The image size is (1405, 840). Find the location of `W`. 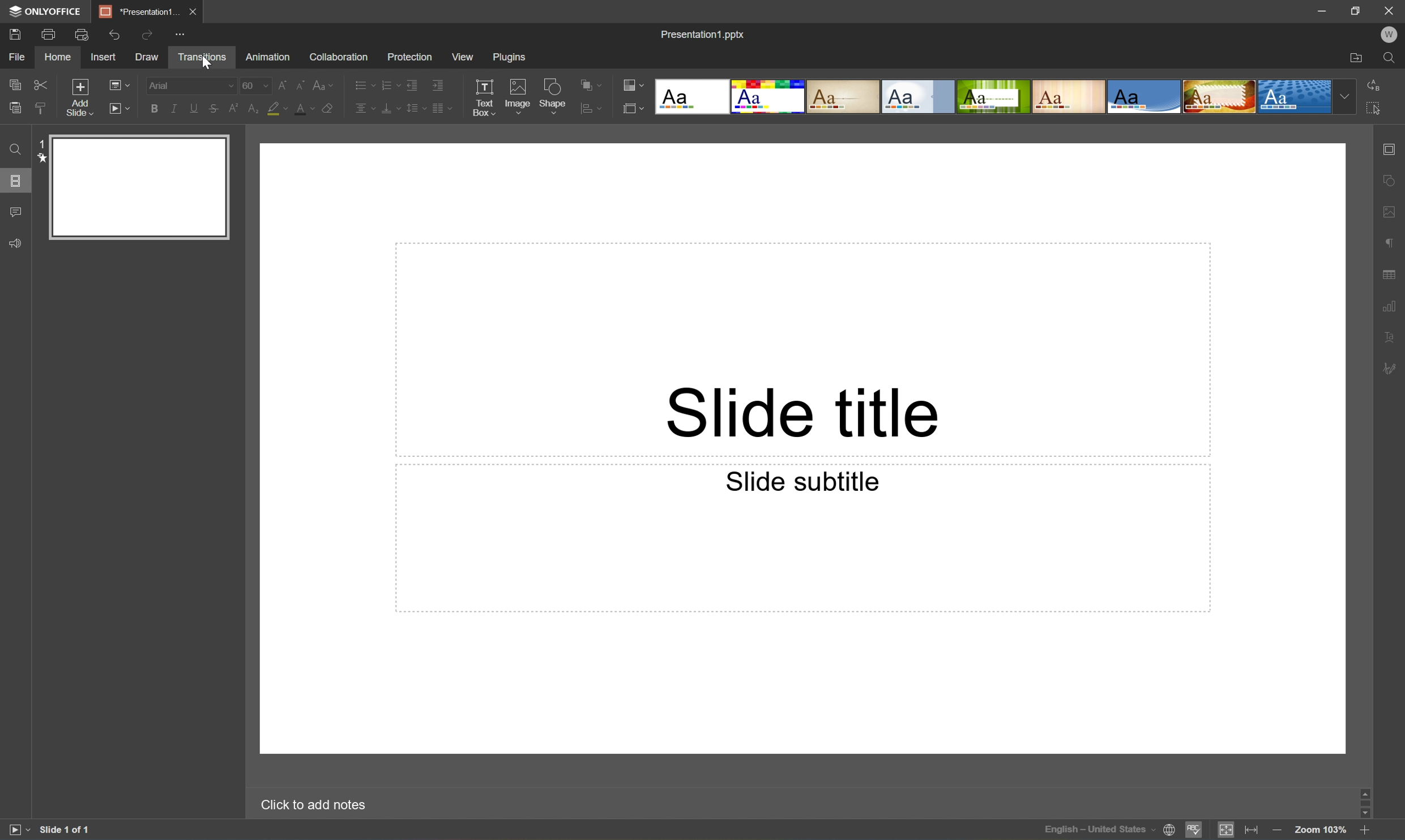

W is located at coordinates (1390, 34).